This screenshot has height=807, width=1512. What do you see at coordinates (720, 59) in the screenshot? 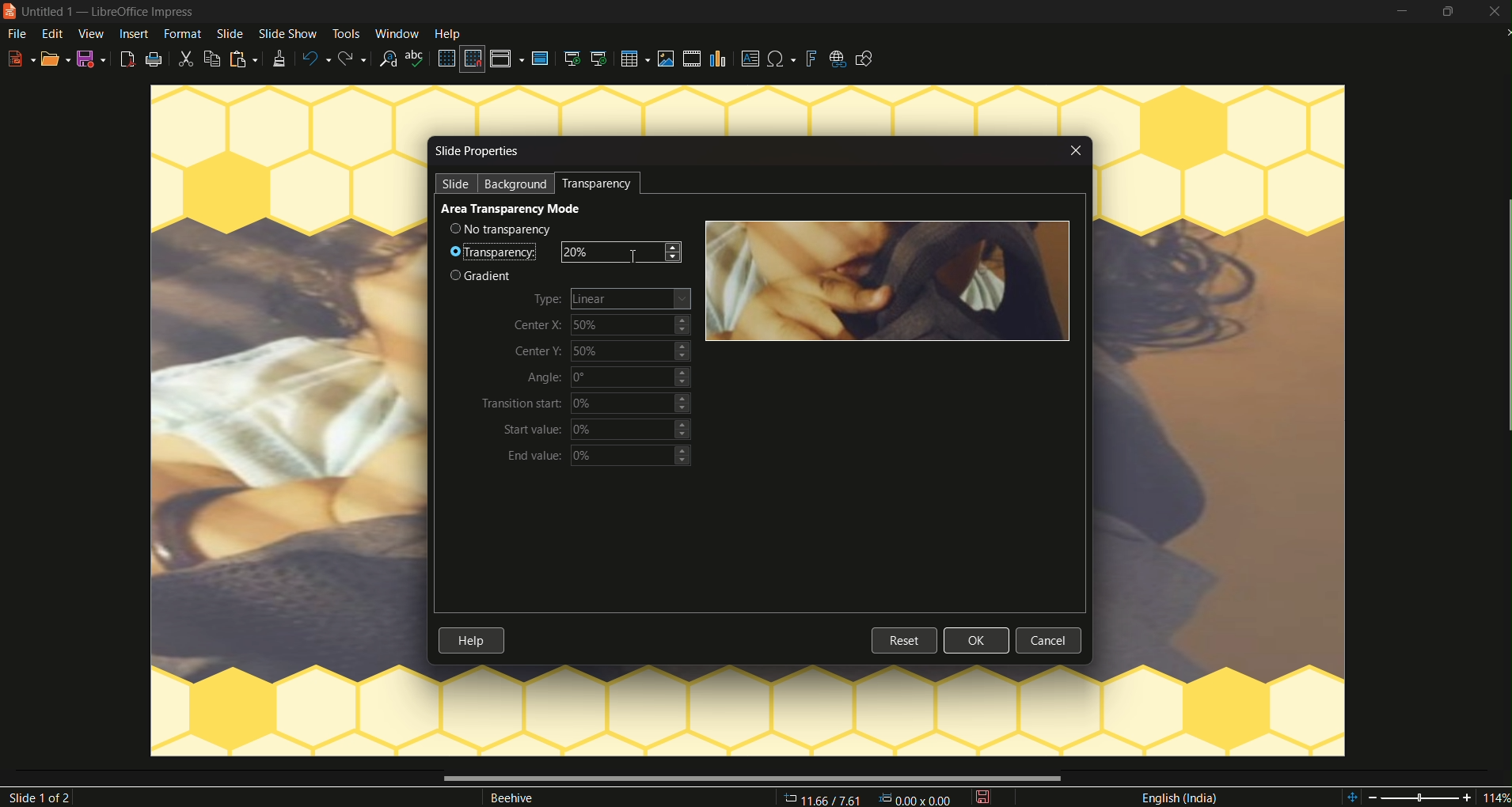
I see `insert chart` at bounding box center [720, 59].